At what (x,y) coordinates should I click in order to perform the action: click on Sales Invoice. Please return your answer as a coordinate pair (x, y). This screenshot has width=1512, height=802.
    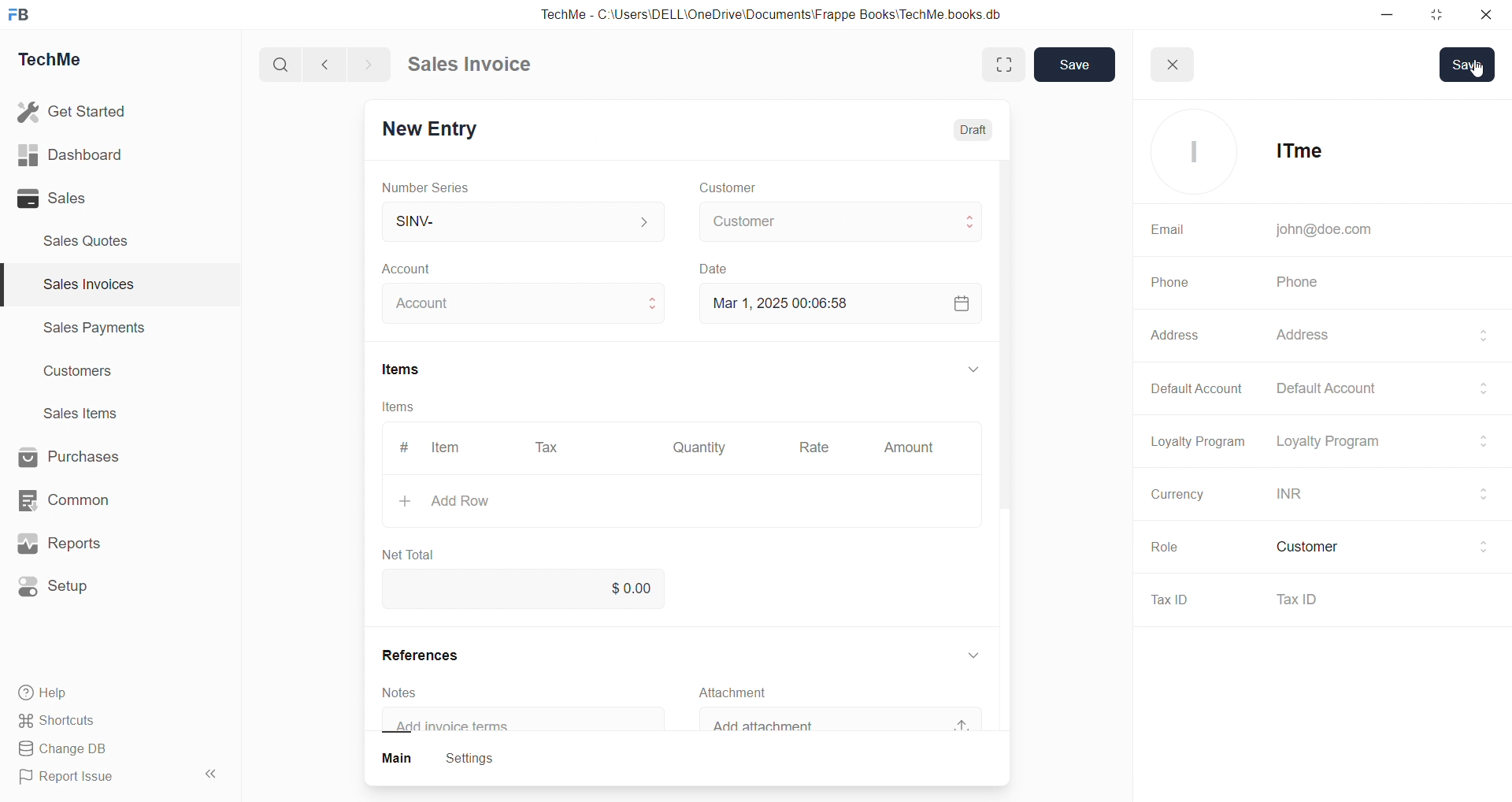
    Looking at the image, I should click on (476, 66).